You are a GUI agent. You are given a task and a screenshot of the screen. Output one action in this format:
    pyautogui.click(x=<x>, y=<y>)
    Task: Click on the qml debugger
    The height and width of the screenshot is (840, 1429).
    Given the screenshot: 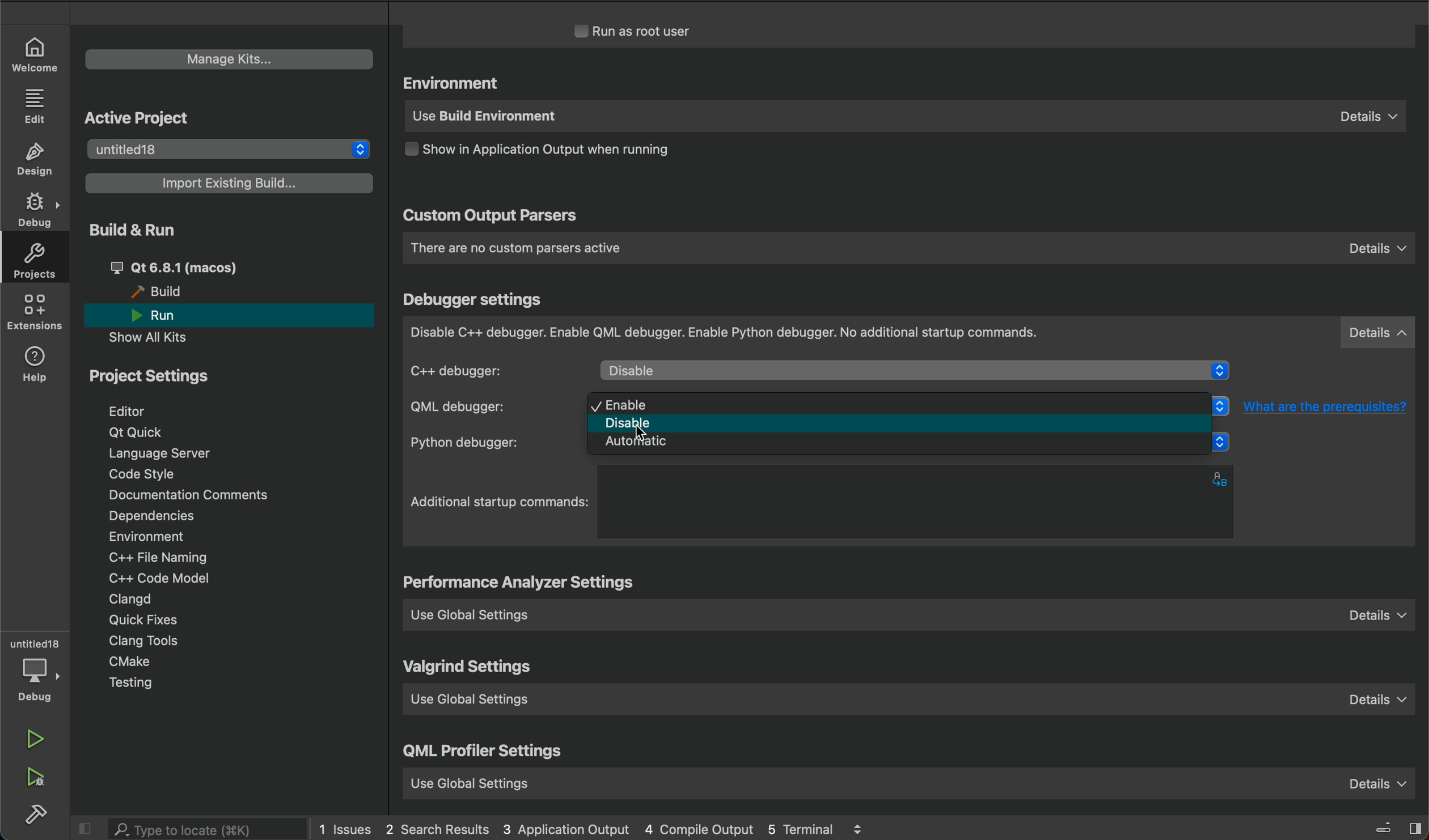 What is the action you would take?
    pyautogui.click(x=485, y=407)
    